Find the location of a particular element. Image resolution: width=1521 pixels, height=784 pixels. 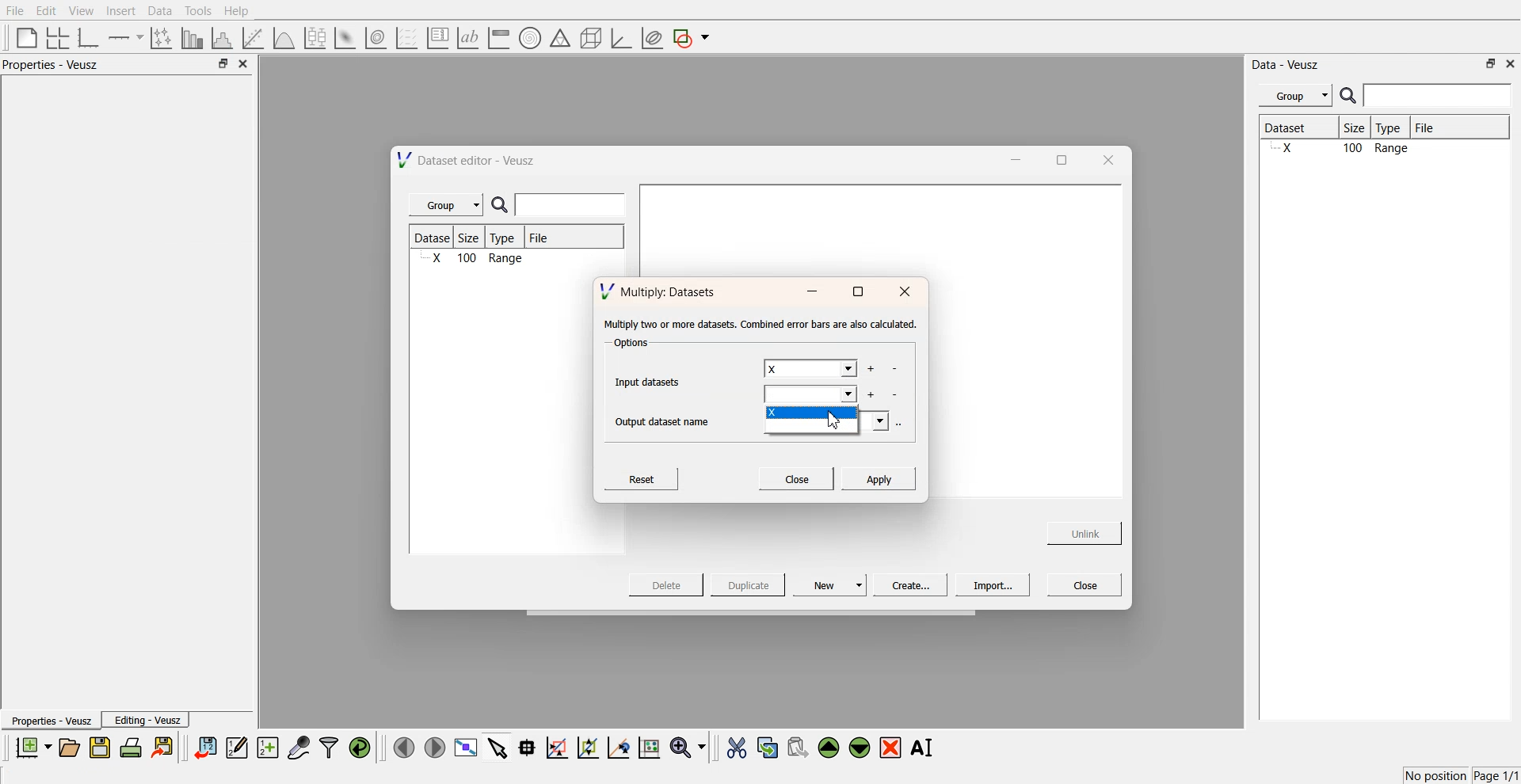

print is located at coordinates (135, 747).